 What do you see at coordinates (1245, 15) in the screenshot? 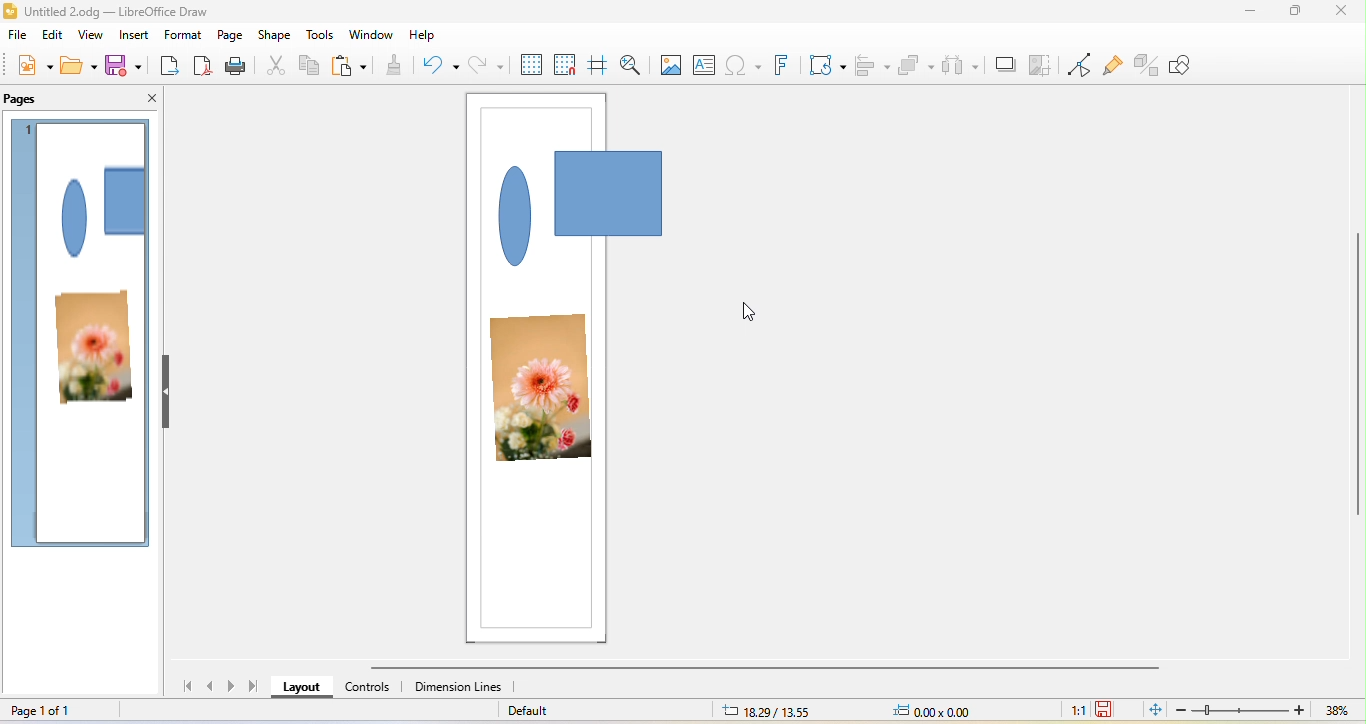
I see `minimize` at bounding box center [1245, 15].